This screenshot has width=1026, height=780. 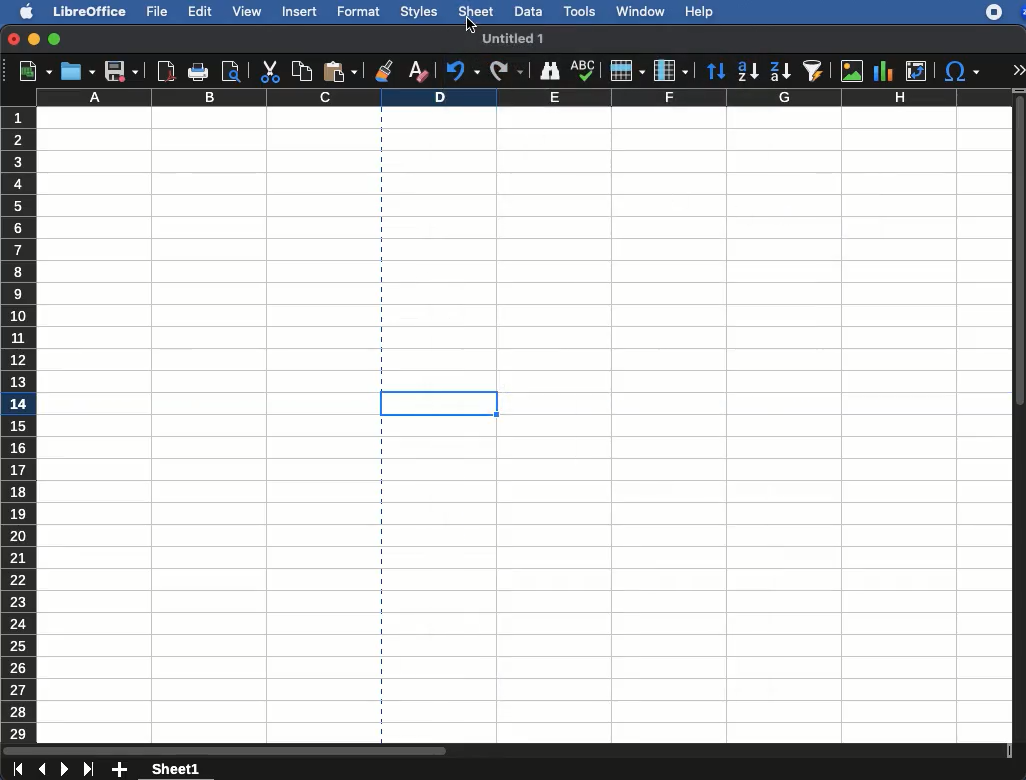 I want to click on column, so click(x=524, y=98).